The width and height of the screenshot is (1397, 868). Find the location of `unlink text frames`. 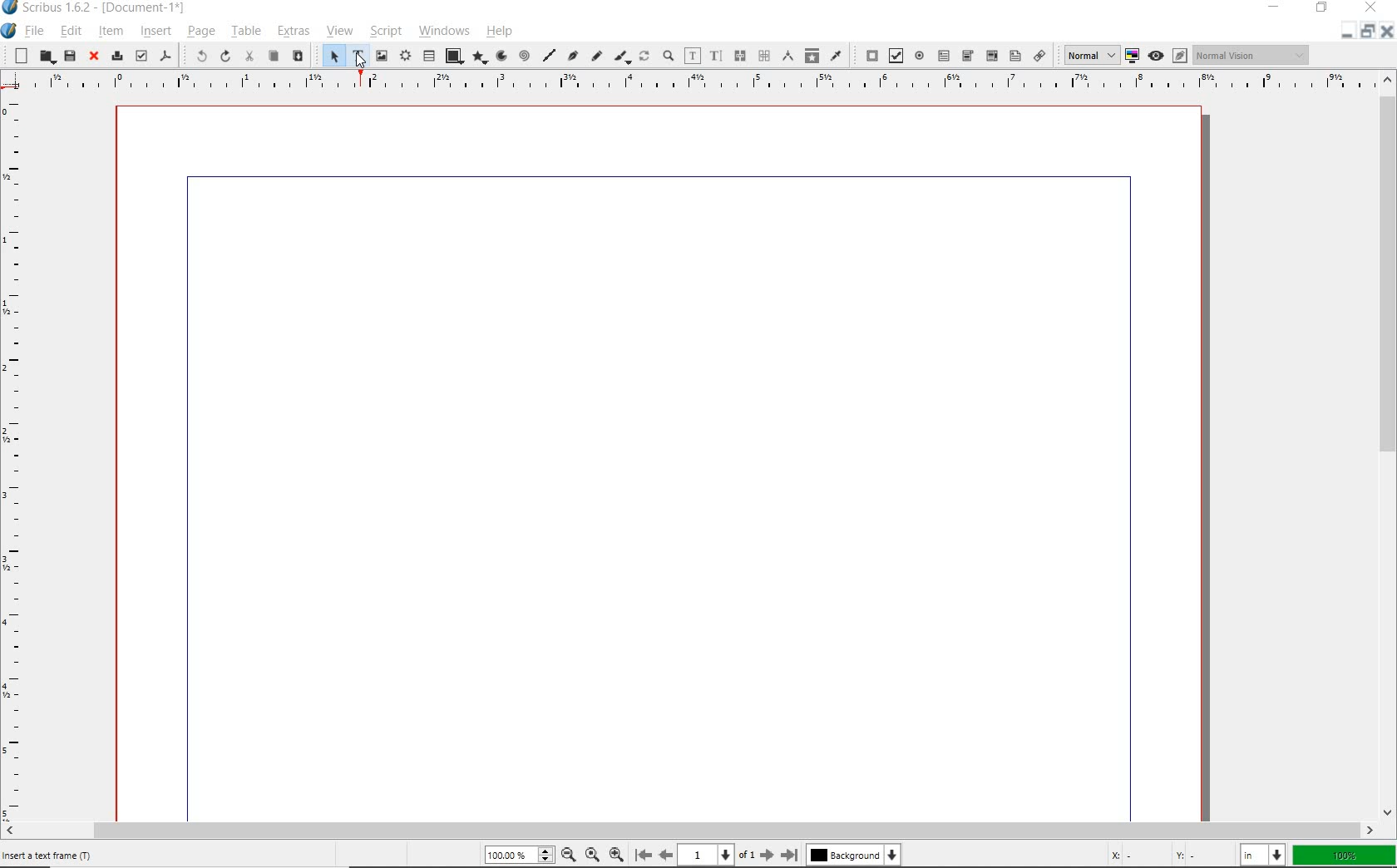

unlink text frames is located at coordinates (764, 57).